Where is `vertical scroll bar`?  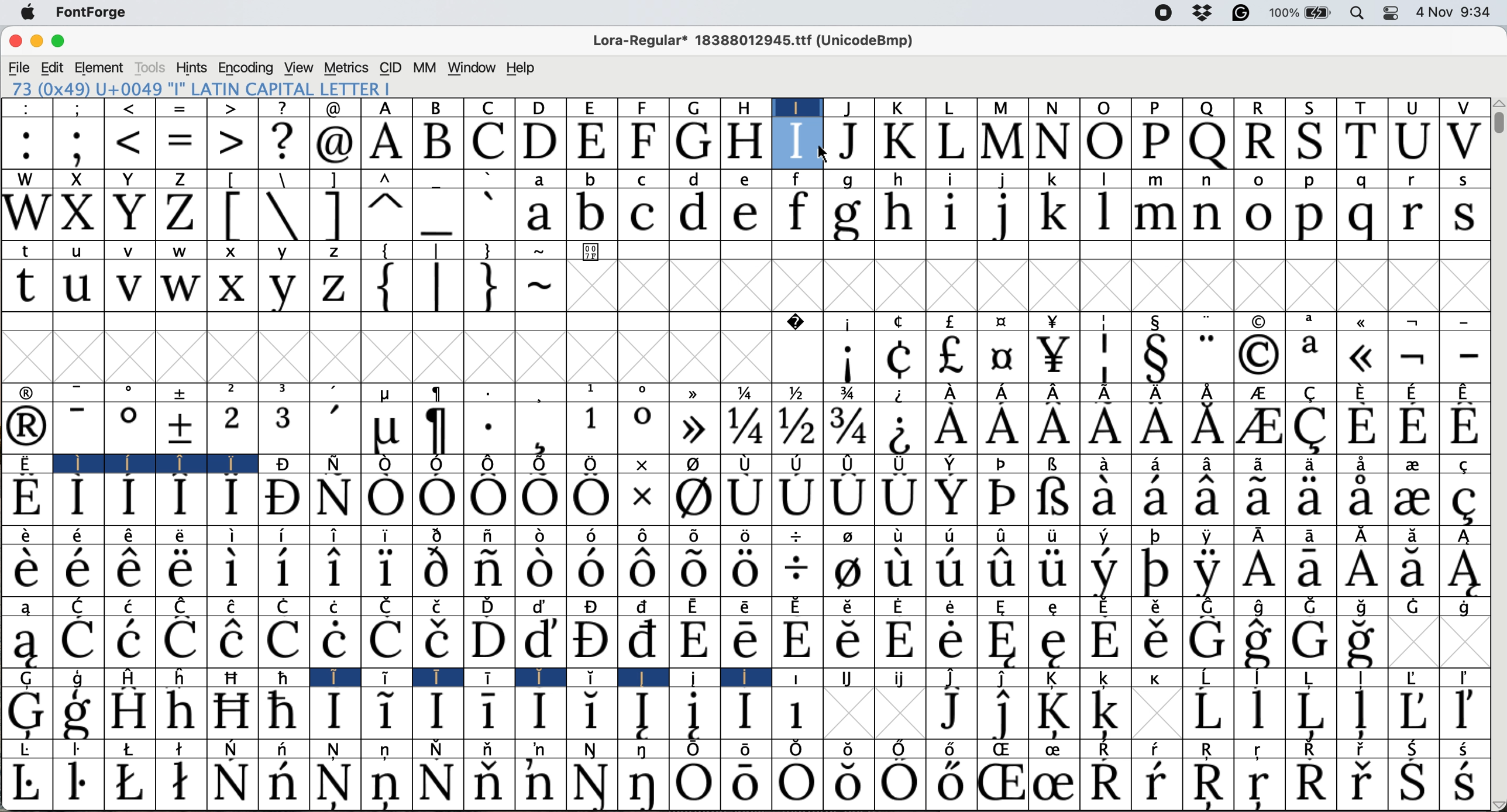 vertical scroll bar is located at coordinates (1498, 126).